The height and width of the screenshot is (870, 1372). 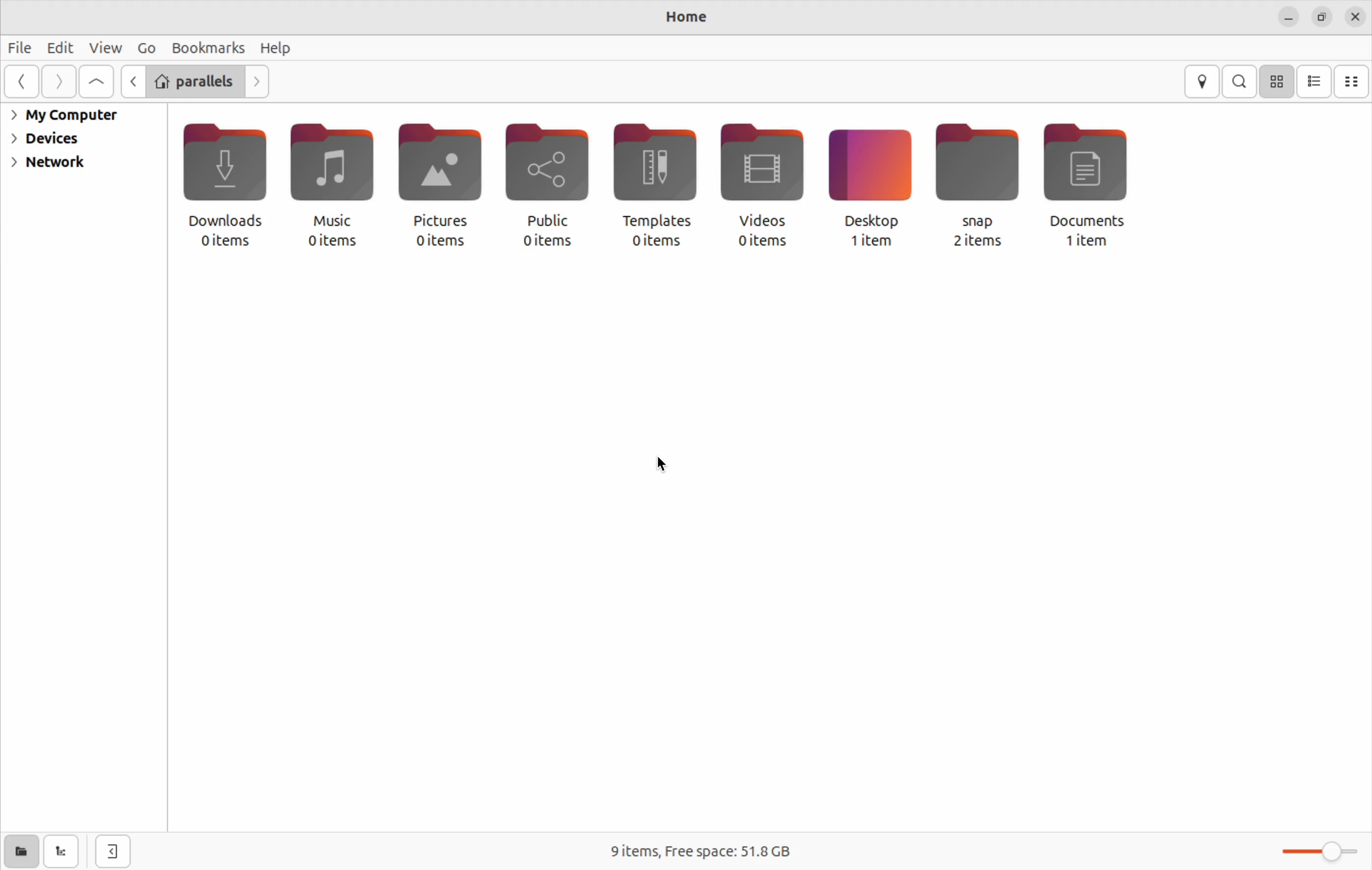 I want to click on cursor, so click(x=663, y=463).